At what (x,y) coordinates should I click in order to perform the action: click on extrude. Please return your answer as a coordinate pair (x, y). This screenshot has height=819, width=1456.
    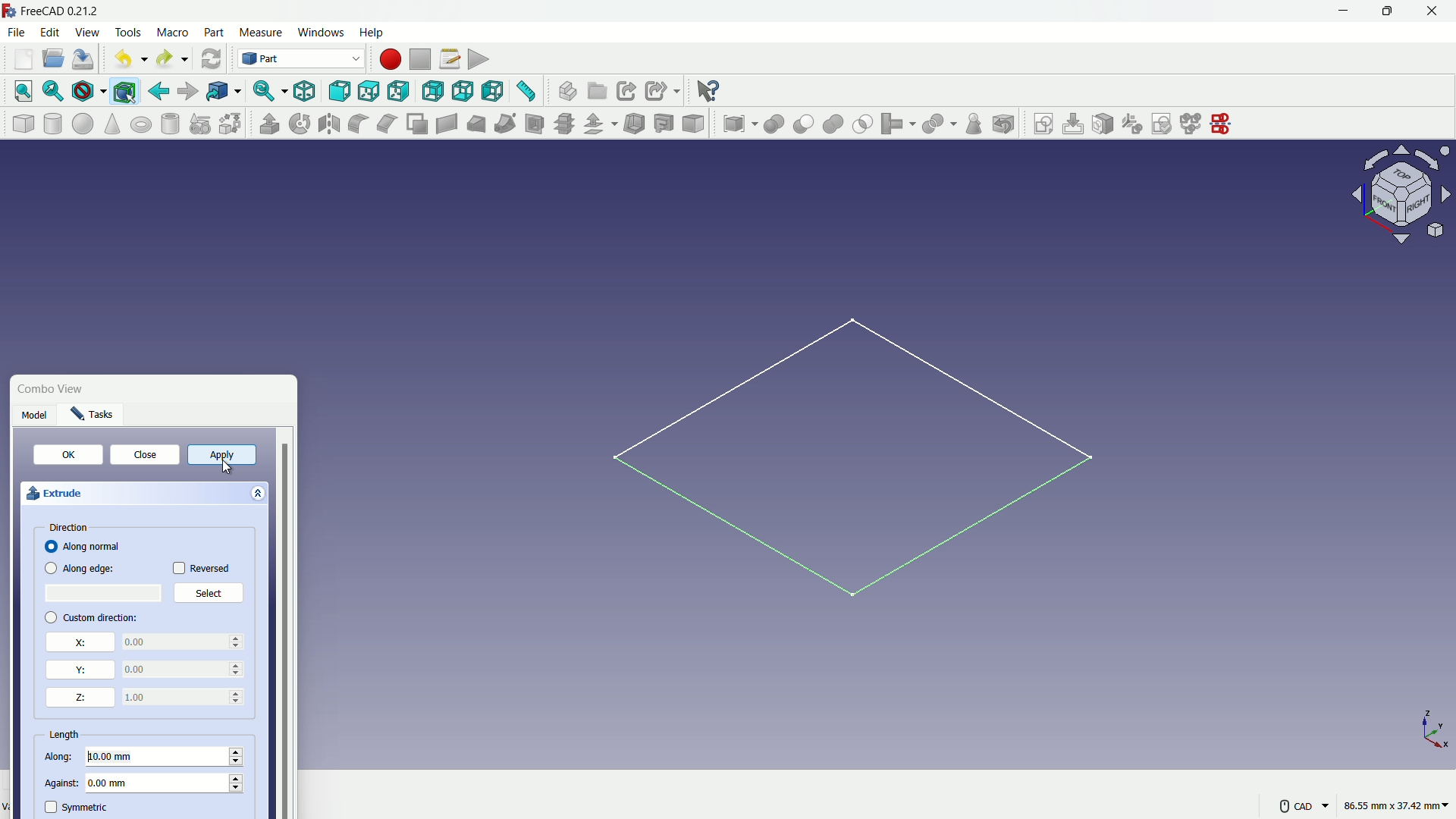
    Looking at the image, I should click on (270, 123).